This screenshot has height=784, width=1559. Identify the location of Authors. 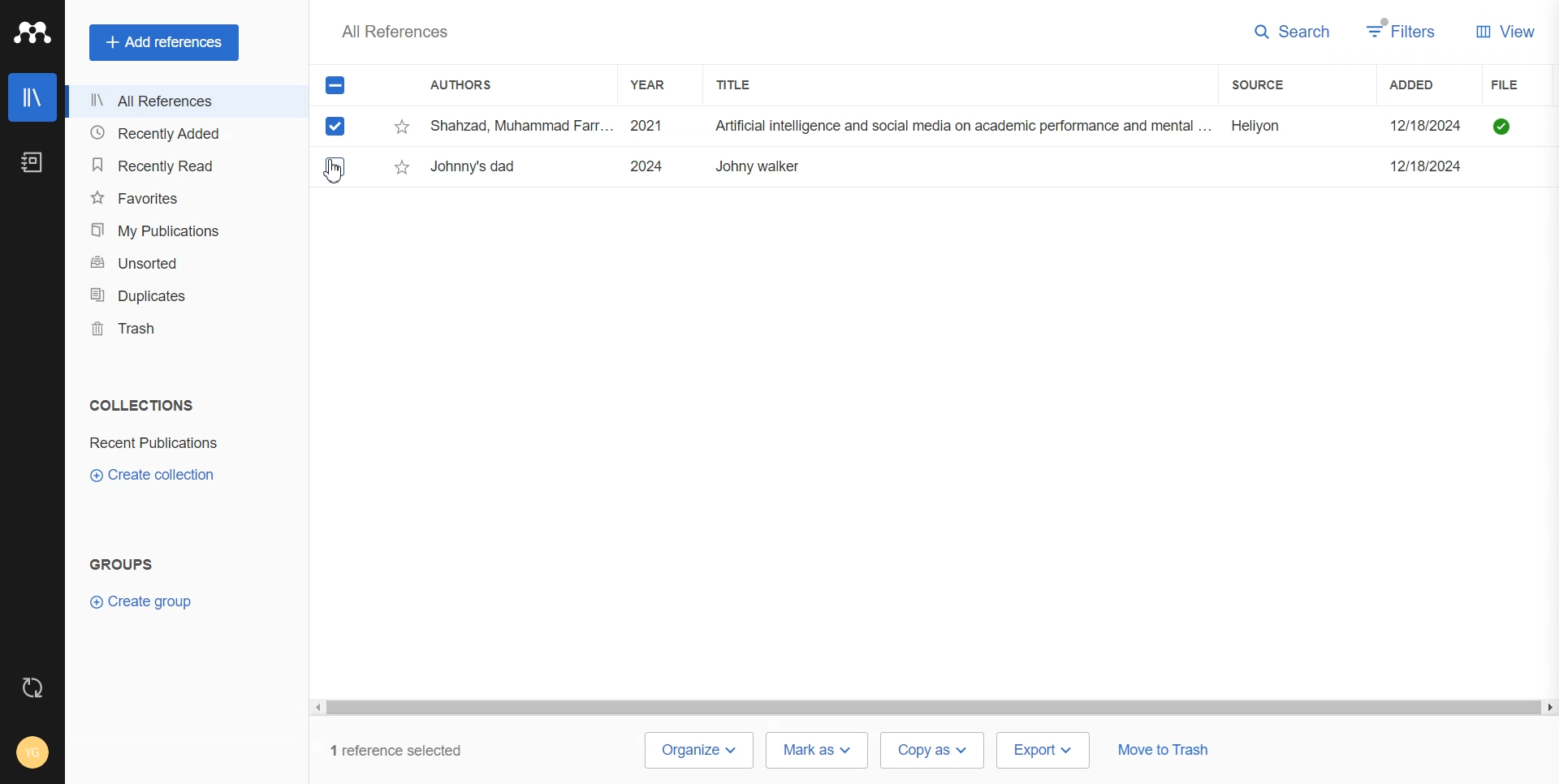
(469, 86).